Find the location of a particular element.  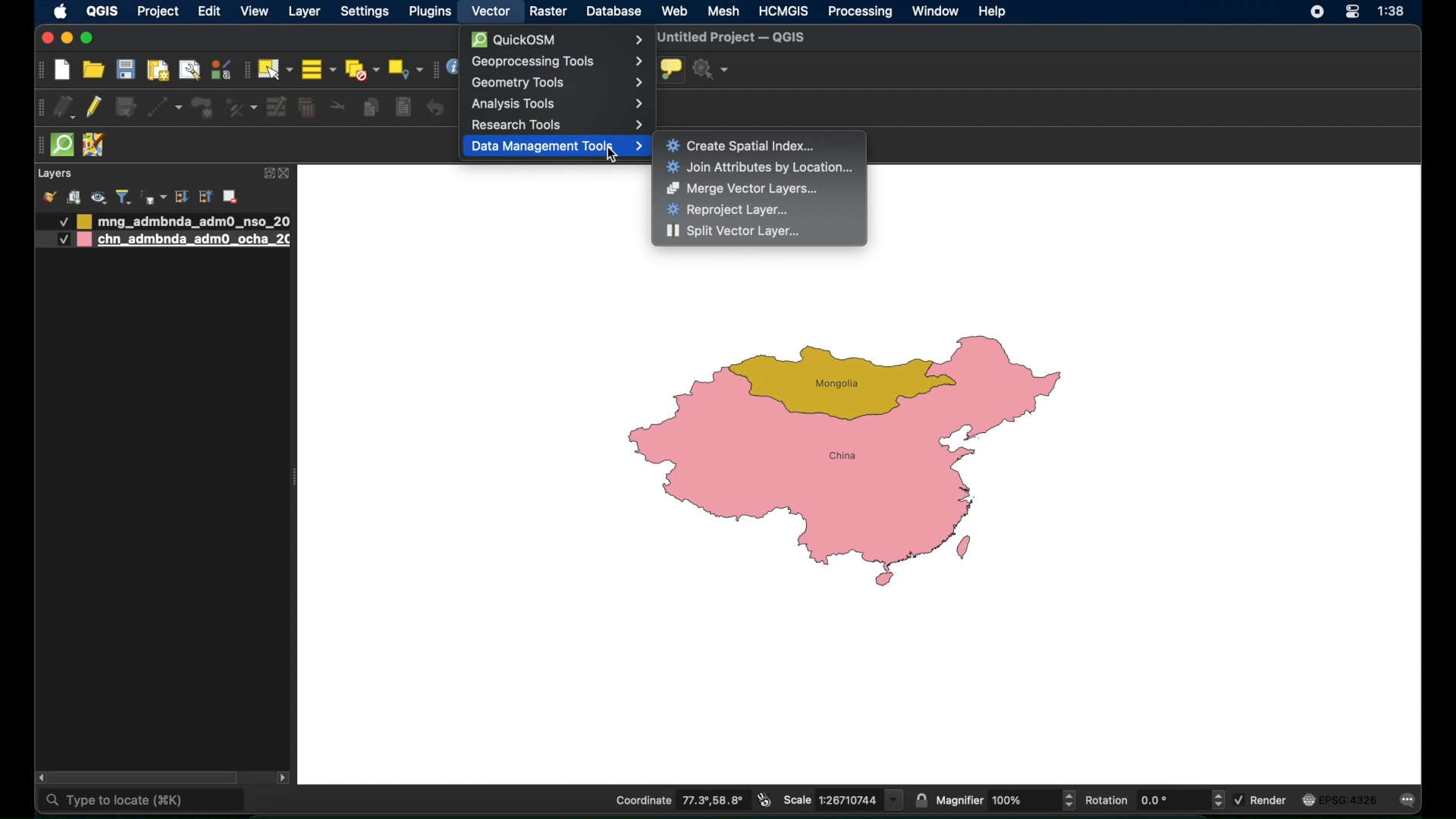

HCMGIS is located at coordinates (783, 11).